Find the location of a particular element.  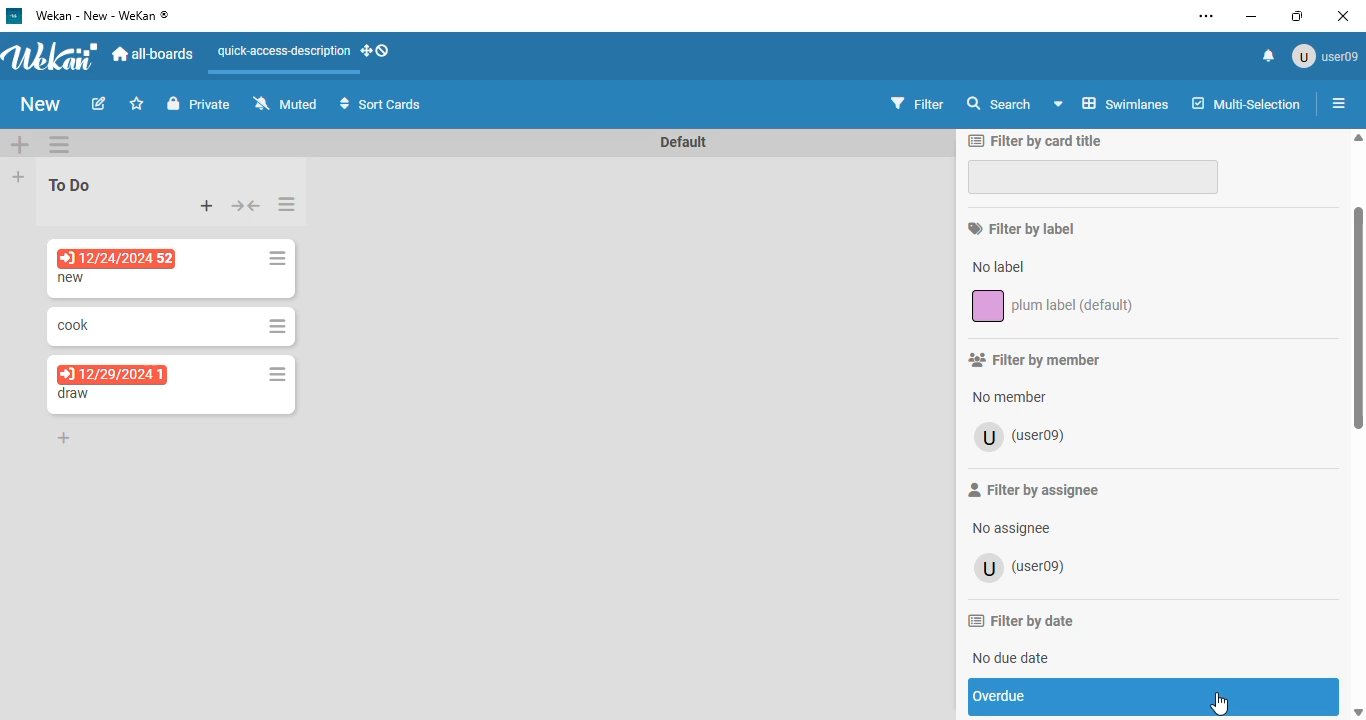

overdue is located at coordinates (1153, 697).